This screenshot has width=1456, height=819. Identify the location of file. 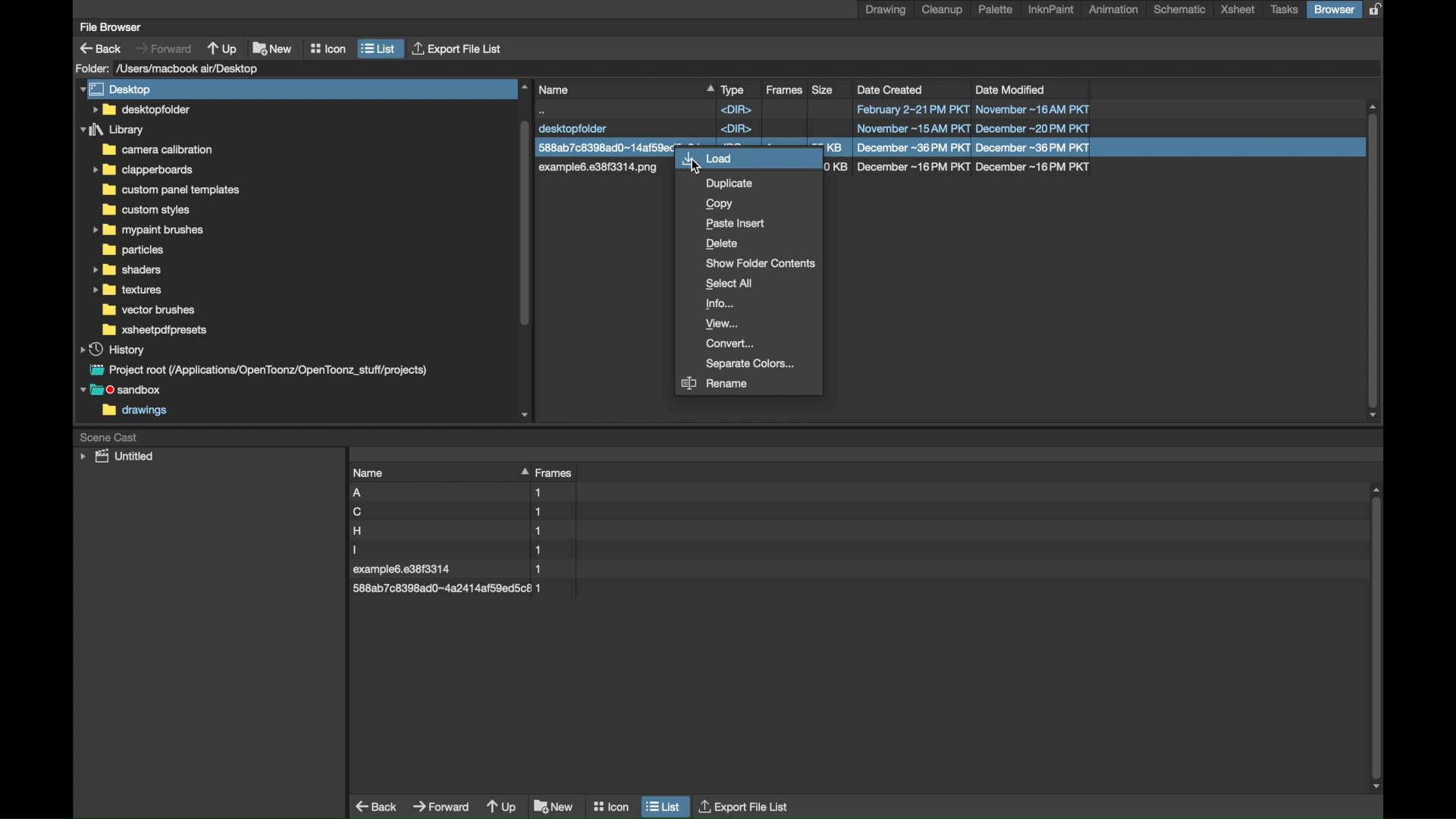
(452, 493).